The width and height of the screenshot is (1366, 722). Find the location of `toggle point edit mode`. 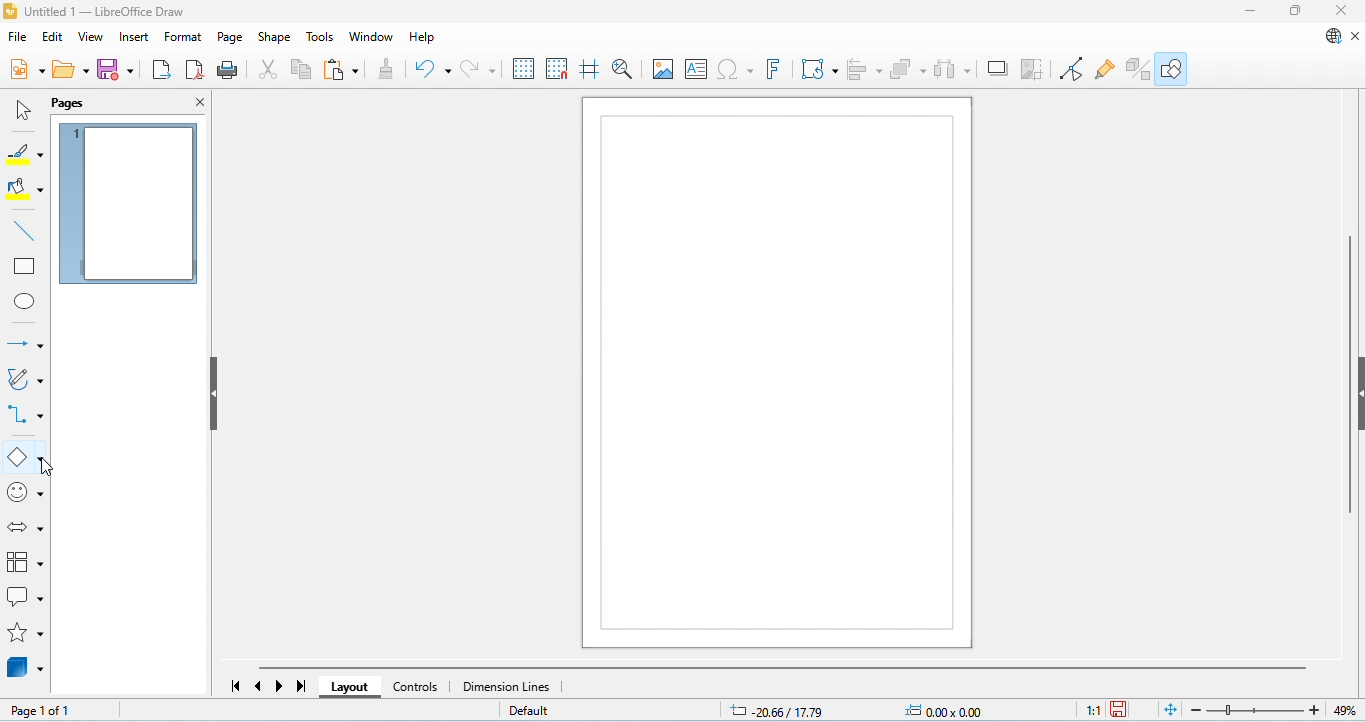

toggle point edit mode is located at coordinates (1071, 70).